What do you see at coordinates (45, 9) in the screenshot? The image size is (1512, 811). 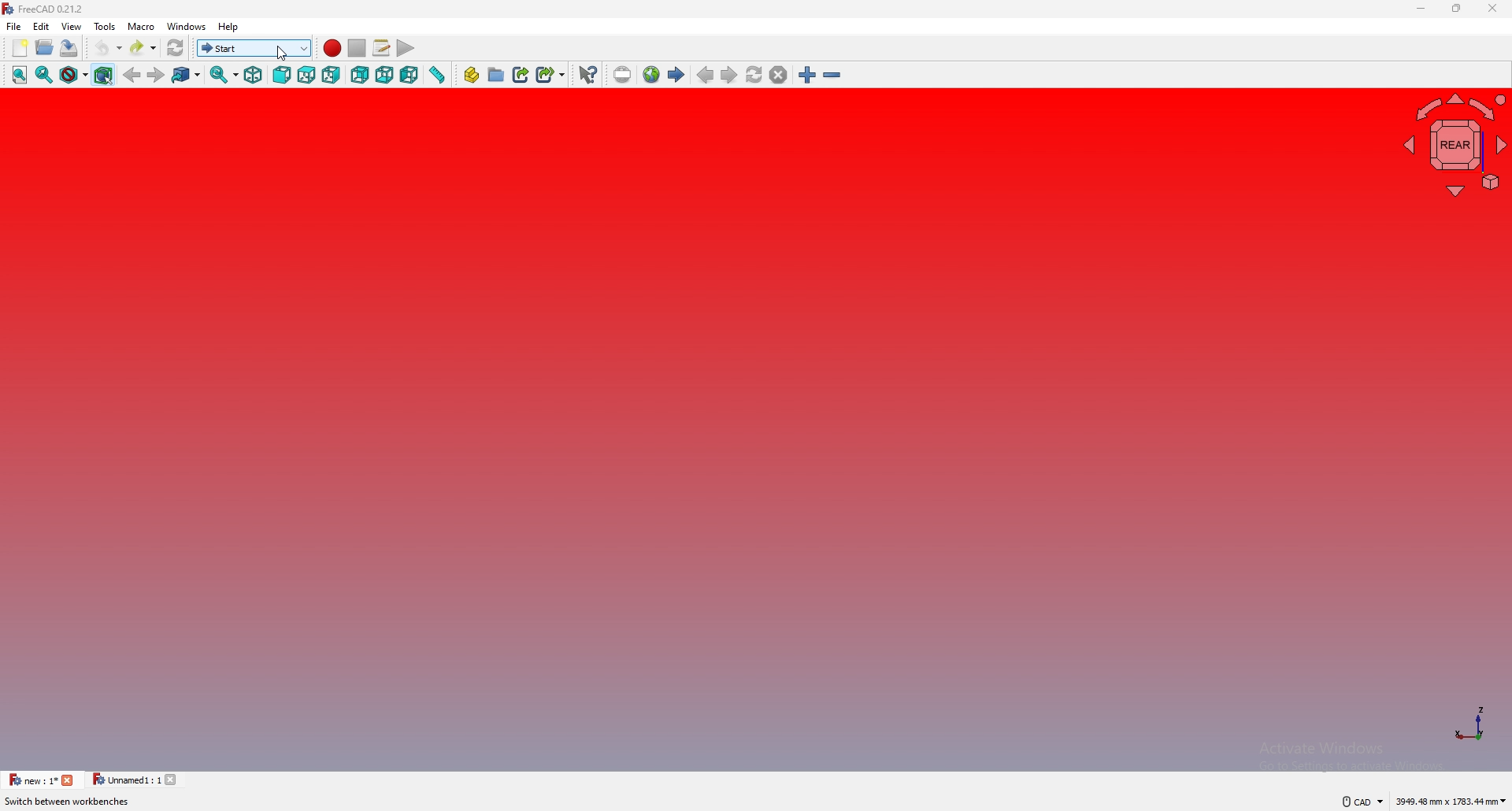 I see `FreeCAD 0.21.2` at bounding box center [45, 9].